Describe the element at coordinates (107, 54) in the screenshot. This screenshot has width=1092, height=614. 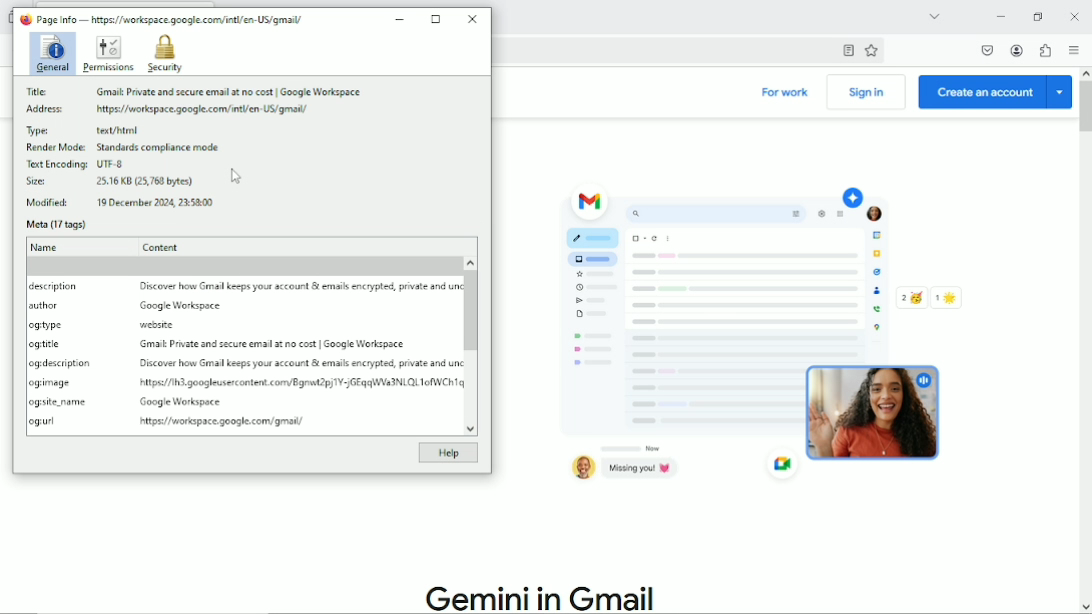
I see `Permissions` at that location.